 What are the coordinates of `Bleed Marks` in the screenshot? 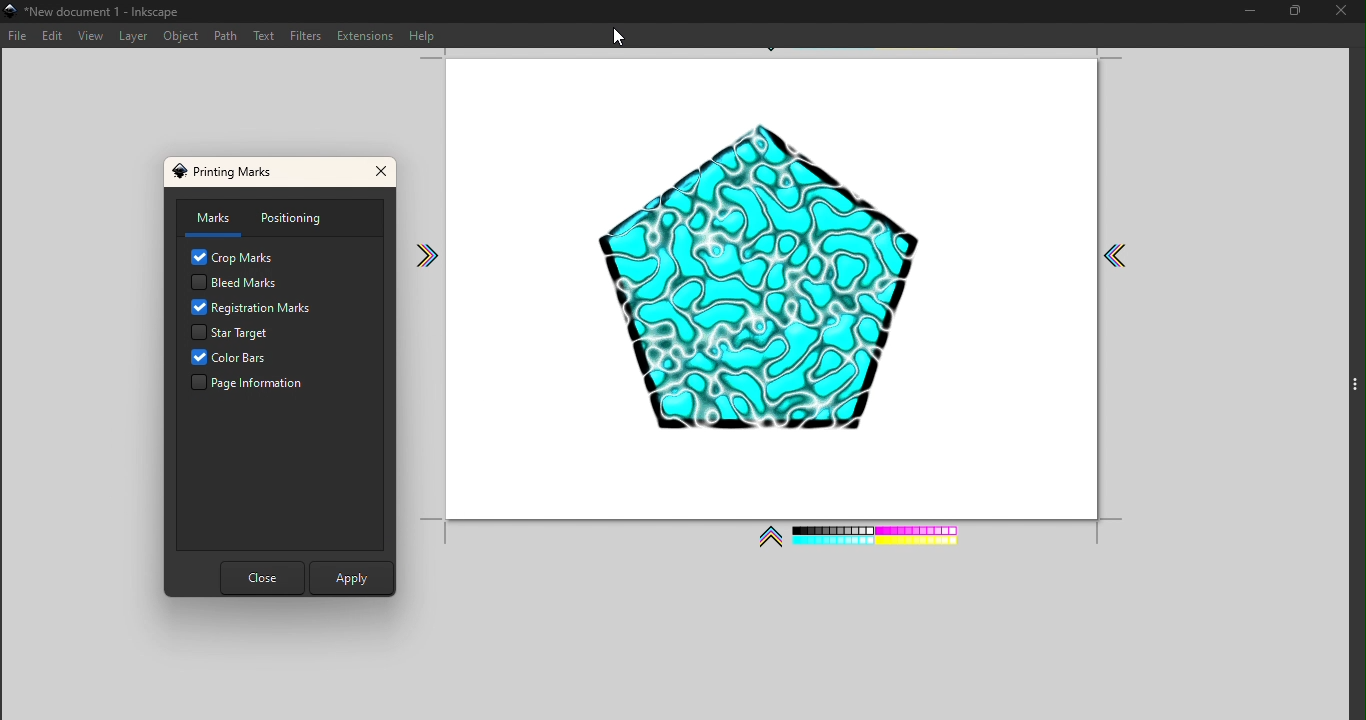 It's located at (233, 282).